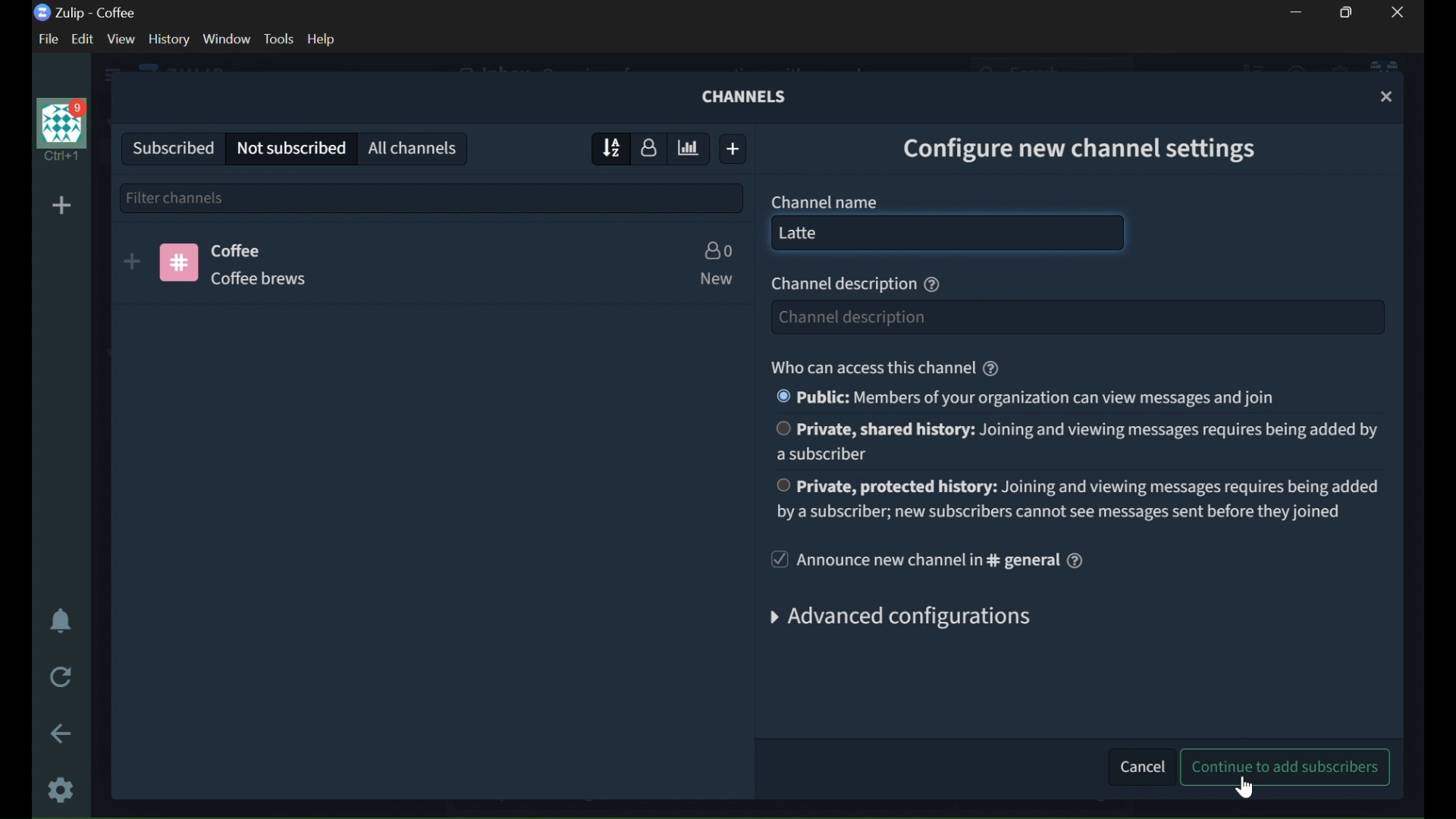 This screenshot has height=819, width=1456. I want to click on CHANNEL NAME, so click(240, 249).